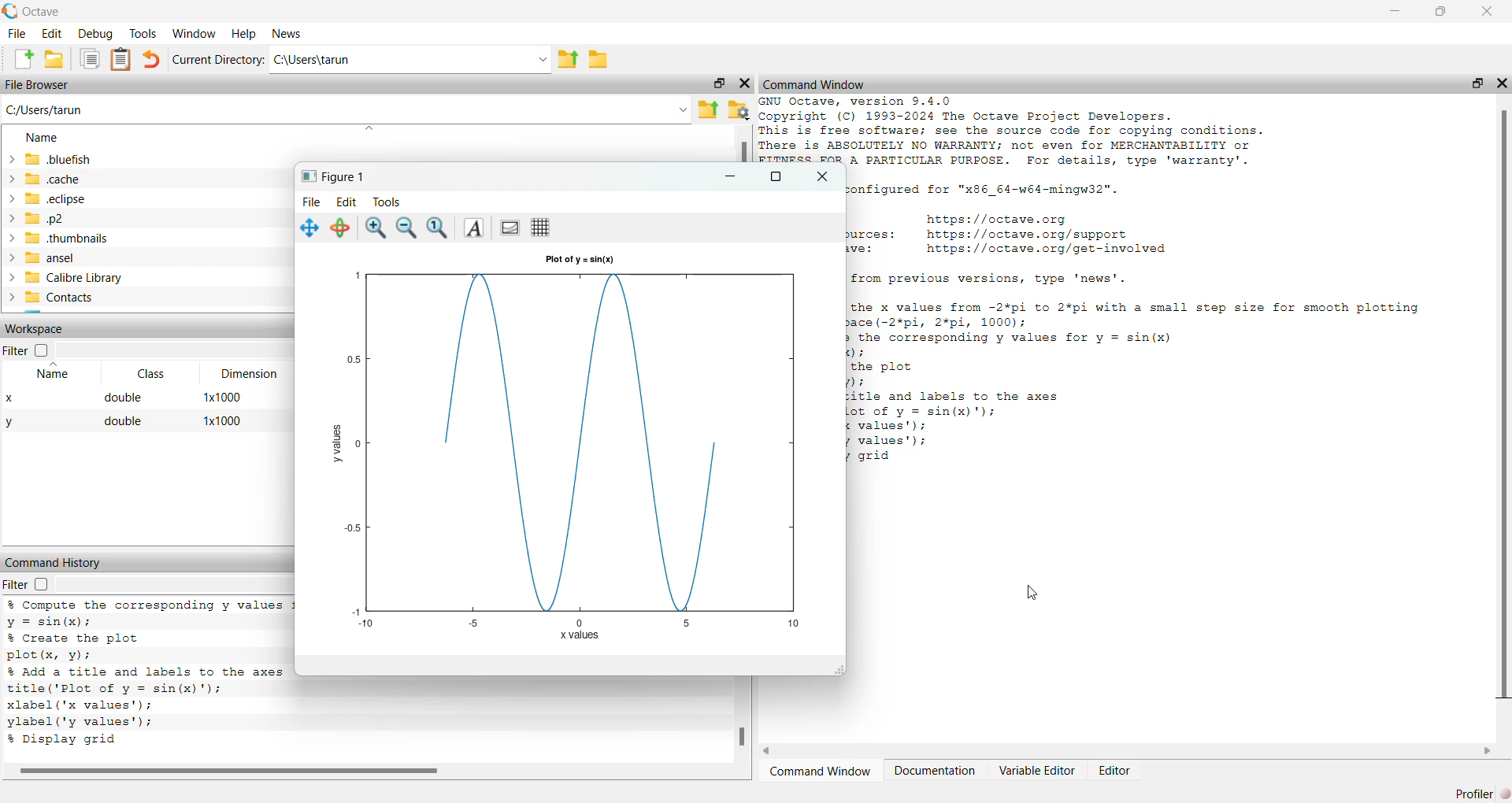 The width and height of the screenshot is (1512, 803). What do you see at coordinates (989, 279) in the screenshot?
I see `For changes from previous versions, type 'news'.` at bounding box center [989, 279].